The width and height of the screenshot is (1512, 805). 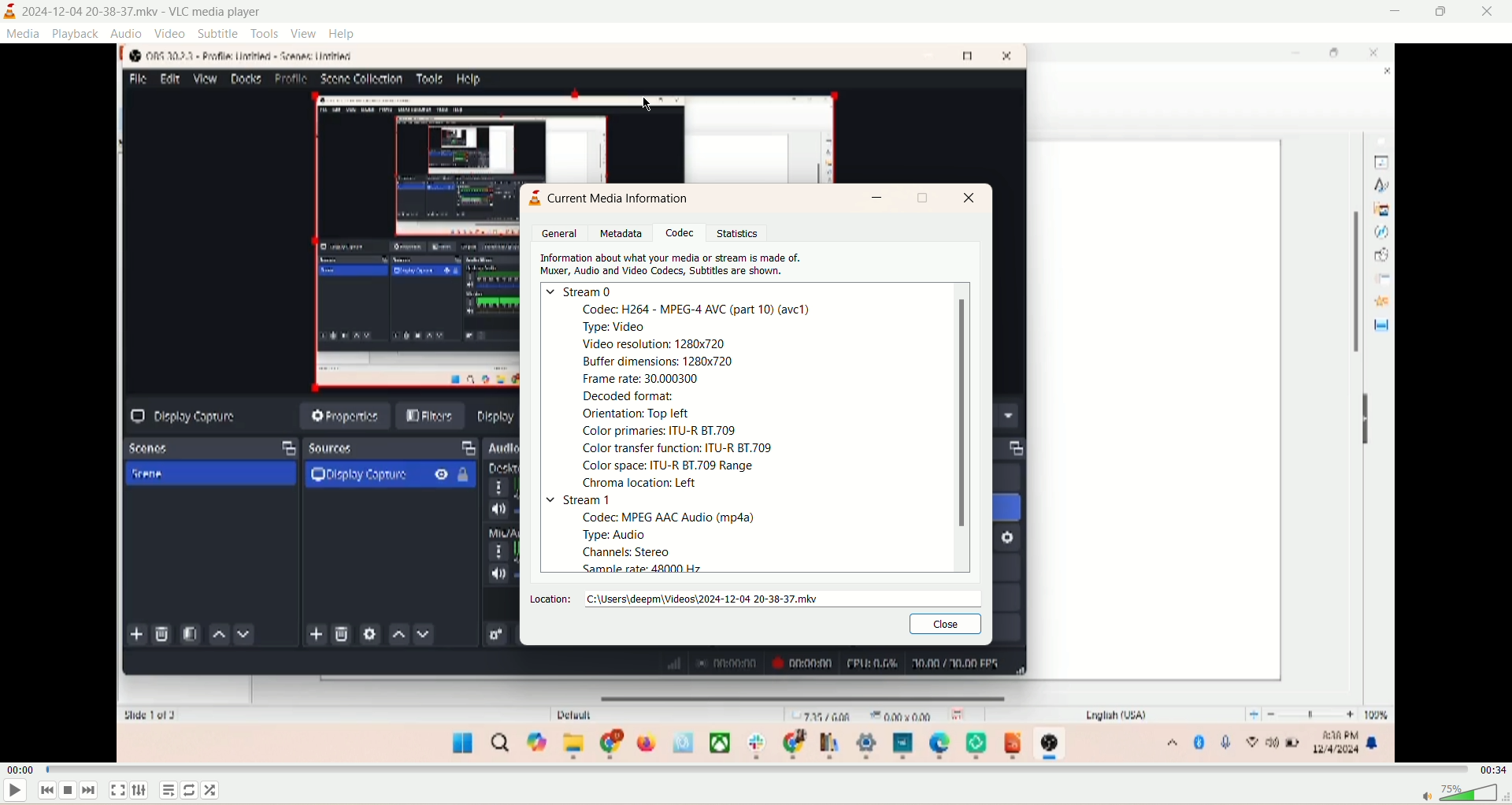 I want to click on playlist, so click(x=171, y=789).